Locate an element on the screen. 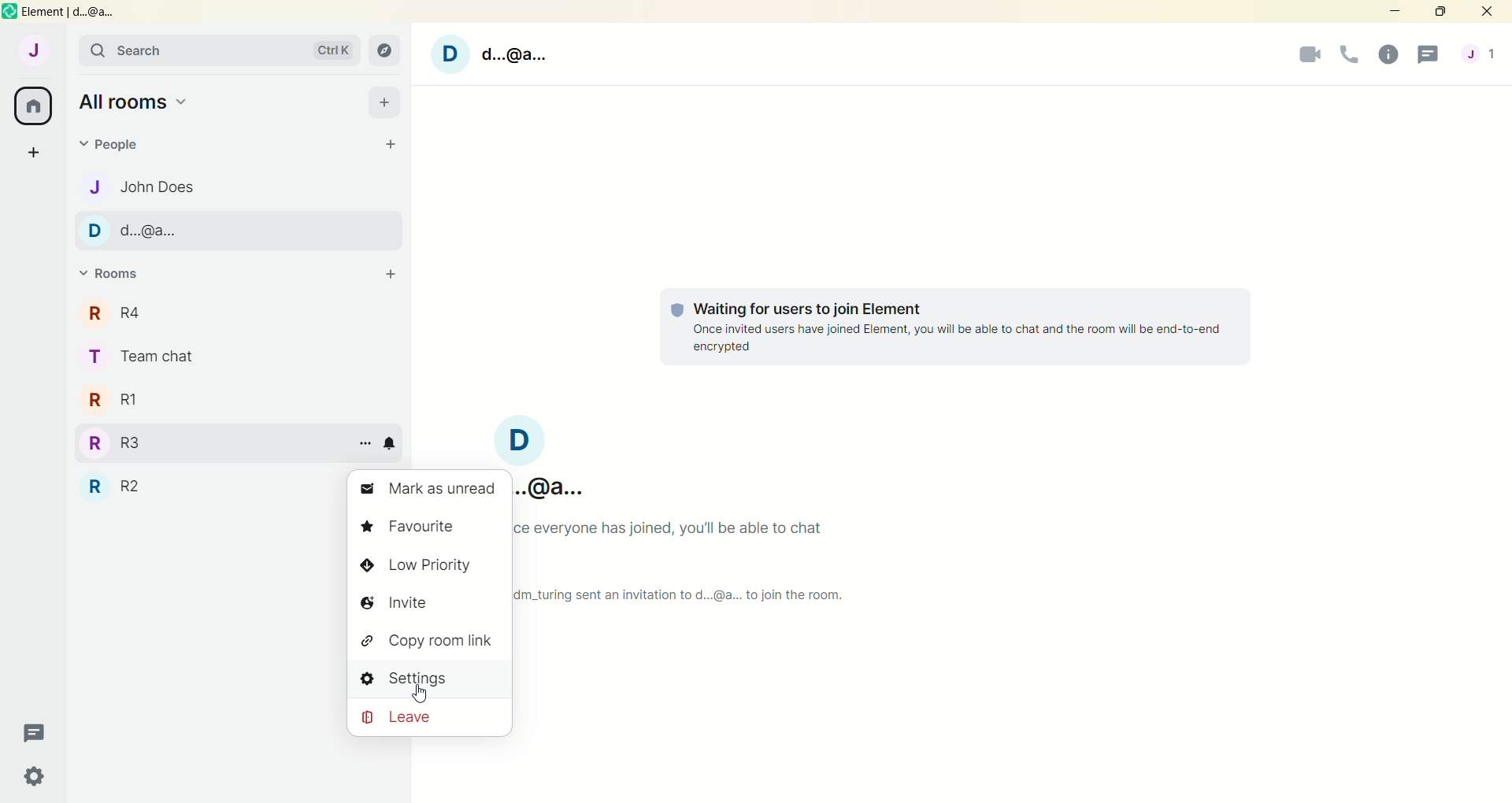 Image resolution: width=1512 pixels, height=803 pixels. voice call is located at coordinates (1350, 54).